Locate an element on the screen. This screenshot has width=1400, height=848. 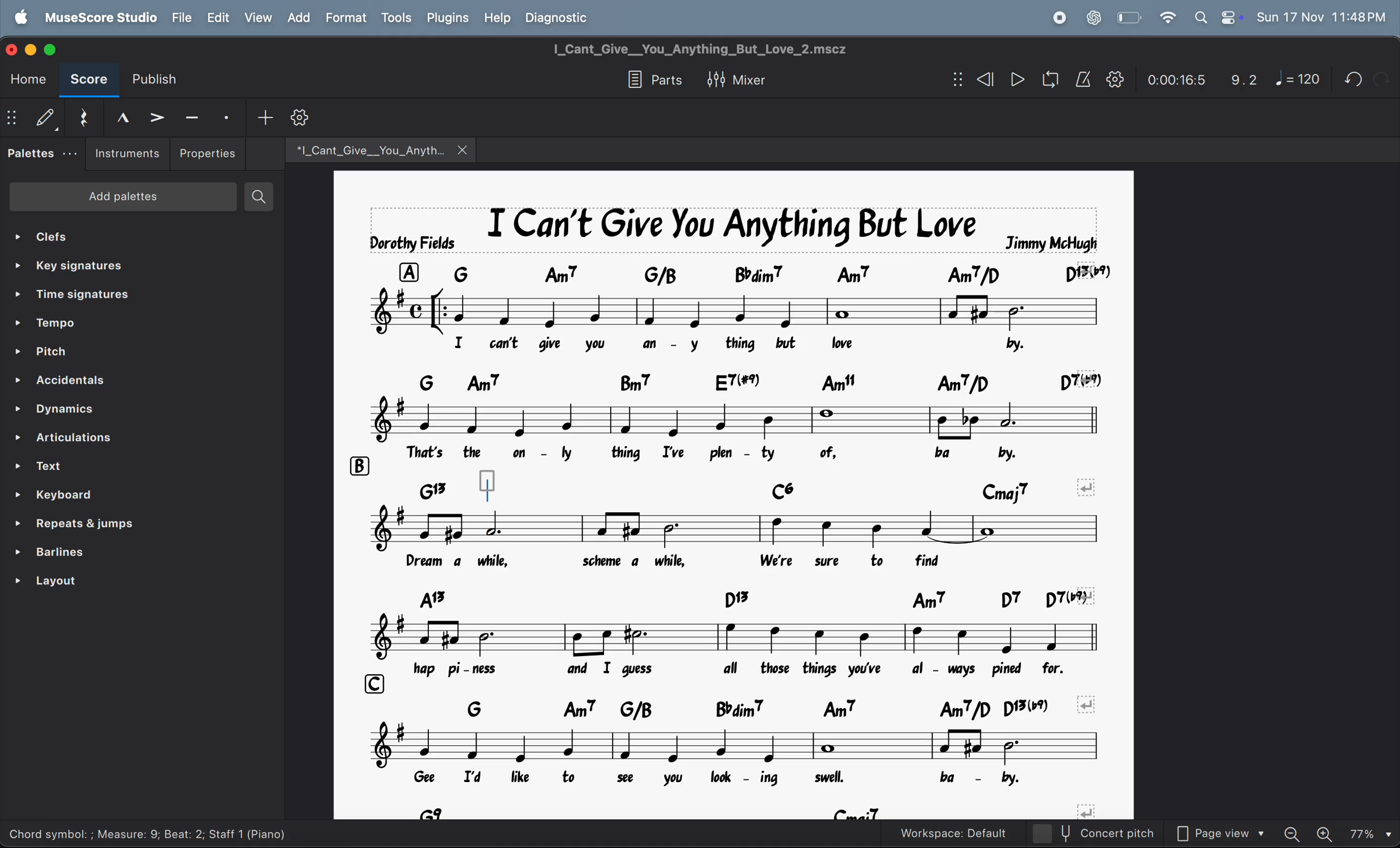
page title is located at coordinates (734, 228).